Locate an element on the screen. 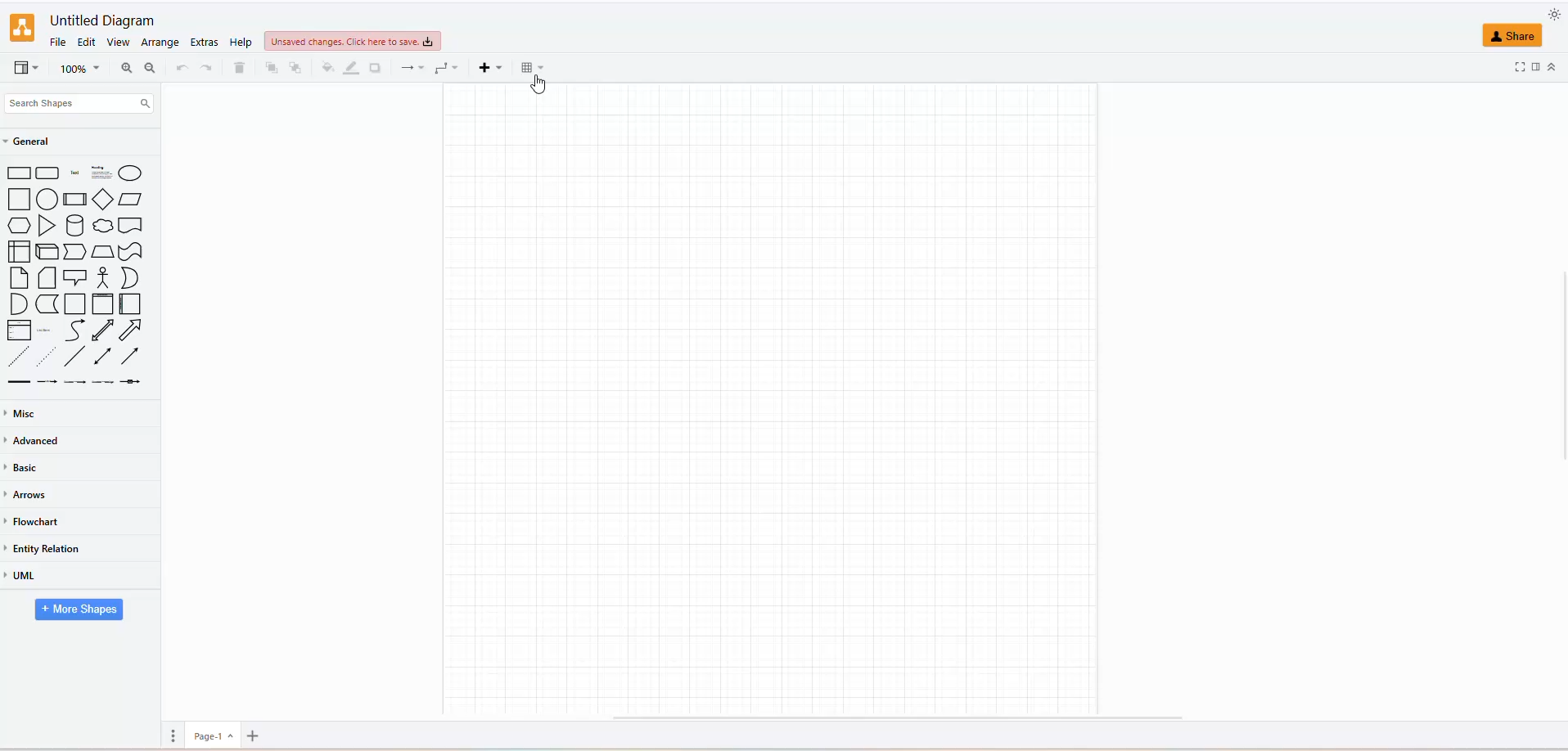  shadow is located at coordinates (376, 69).